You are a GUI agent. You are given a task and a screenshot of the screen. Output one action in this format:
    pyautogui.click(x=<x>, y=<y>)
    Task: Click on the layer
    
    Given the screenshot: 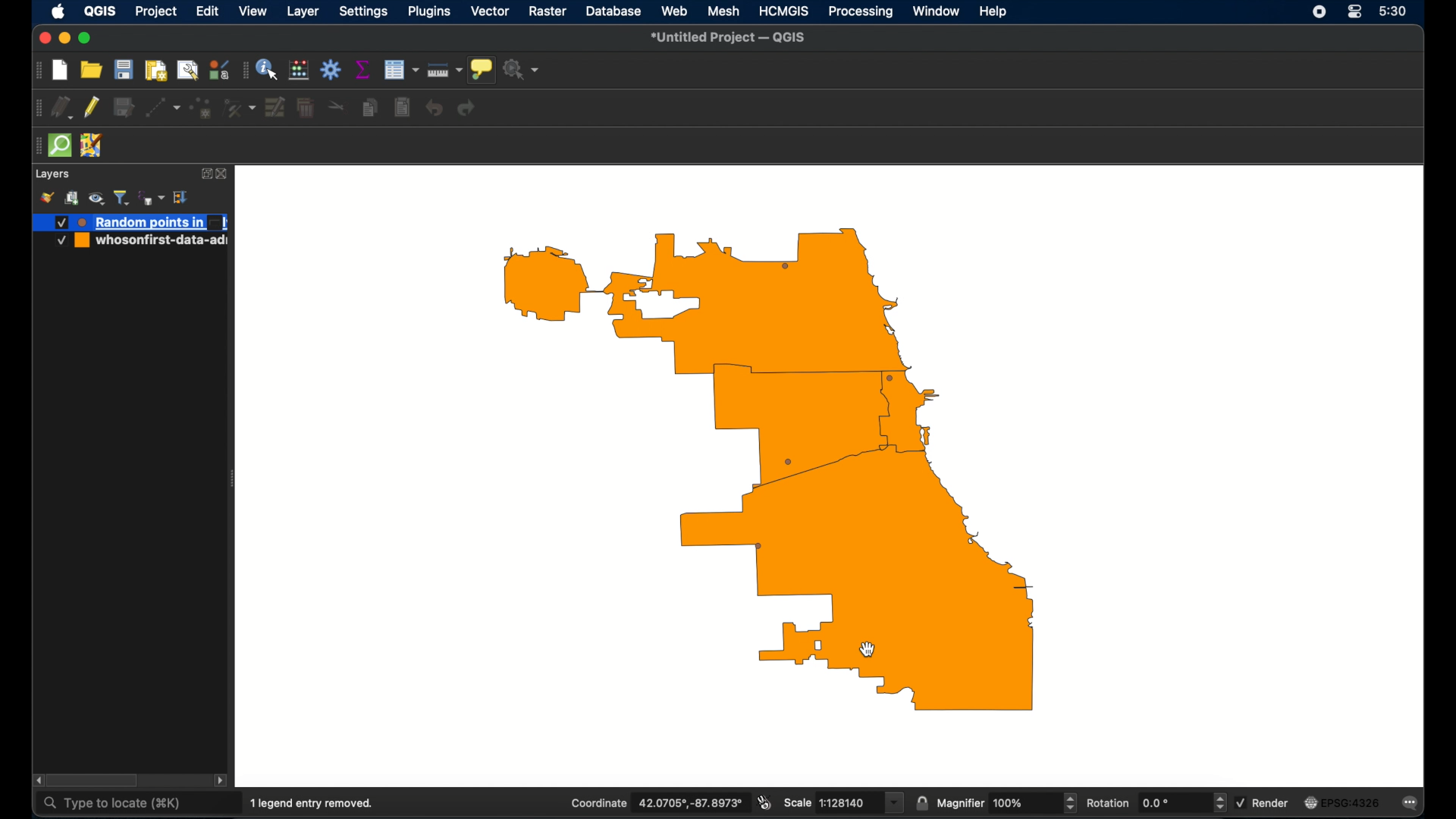 What is the action you would take?
    pyautogui.click(x=303, y=11)
    